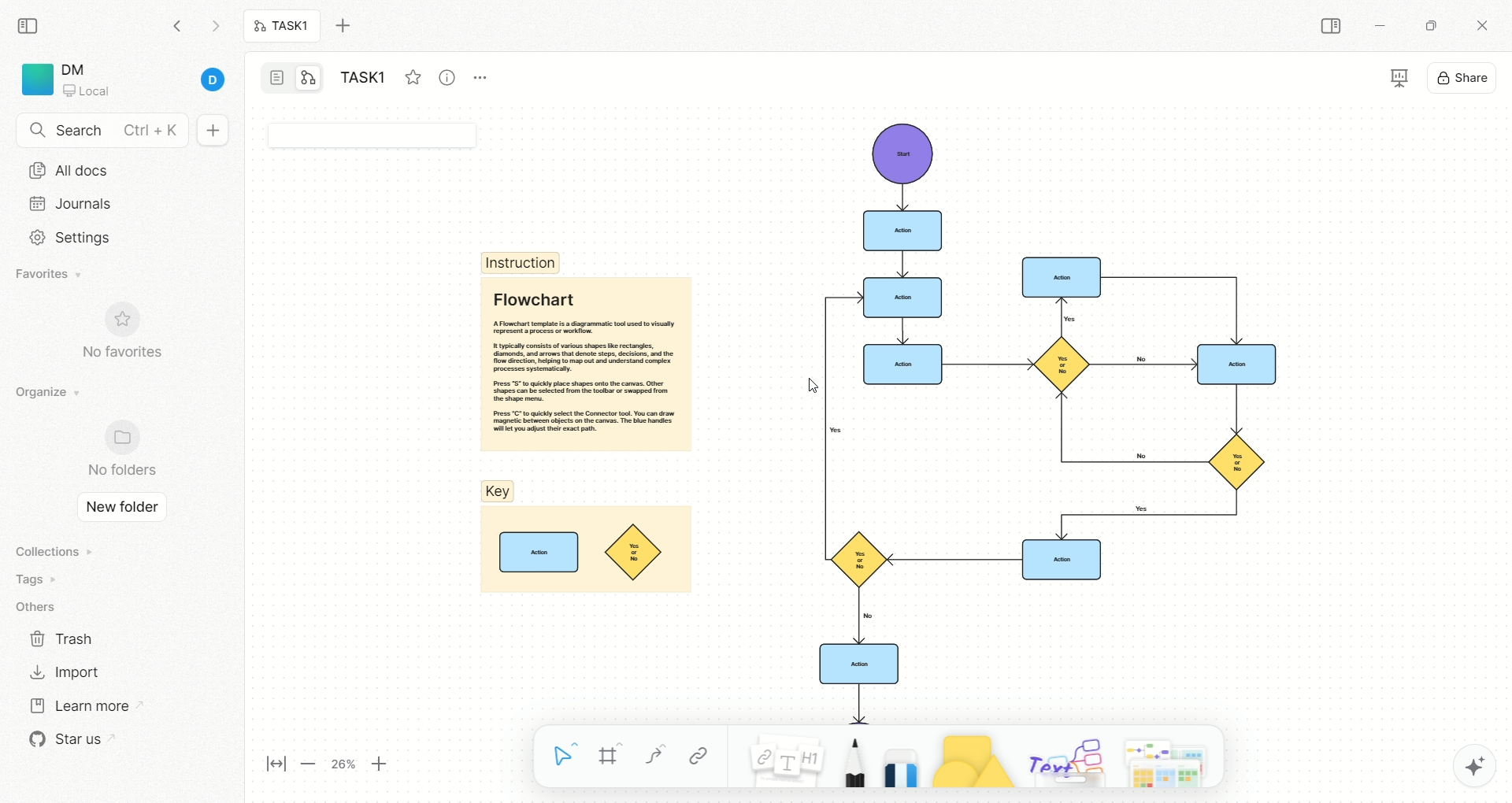  Describe the element at coordinates (654, 758) in the screenshot. I see `curve` at that location.